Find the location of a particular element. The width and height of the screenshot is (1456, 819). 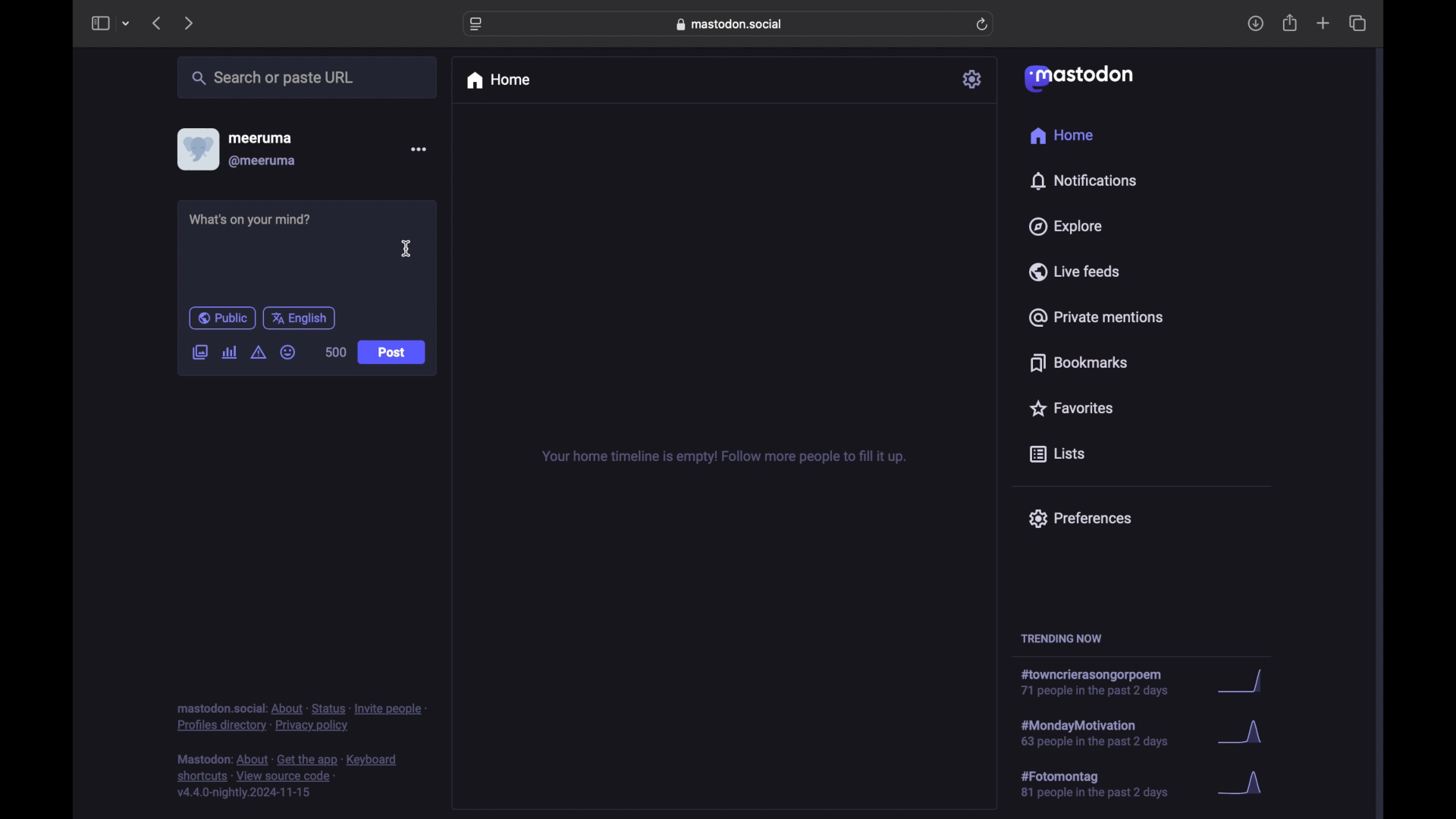

tab group picker is located at coordinates (127, 23).